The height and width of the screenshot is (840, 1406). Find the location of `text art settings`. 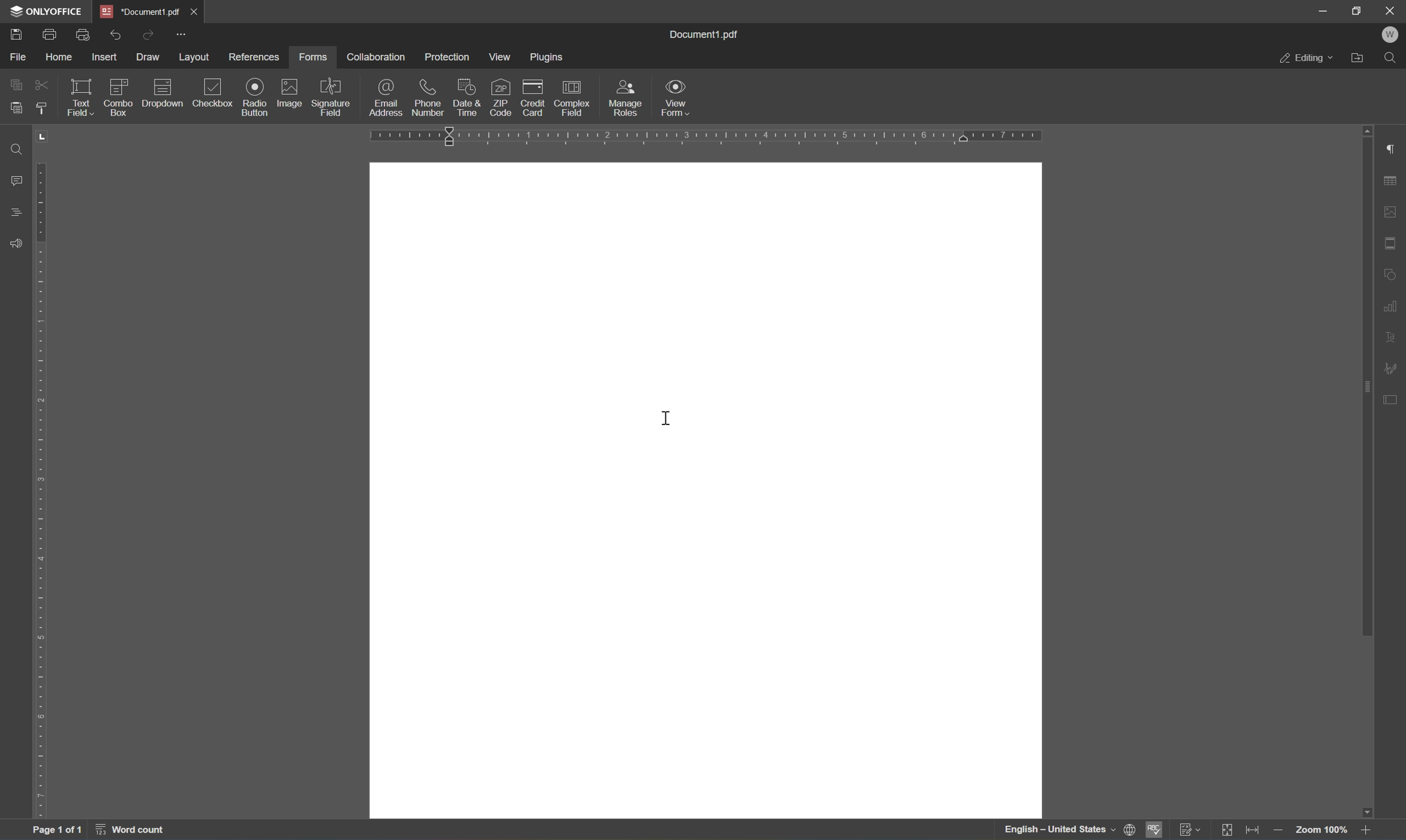

text art settings is located at coordinates (1392, 337).